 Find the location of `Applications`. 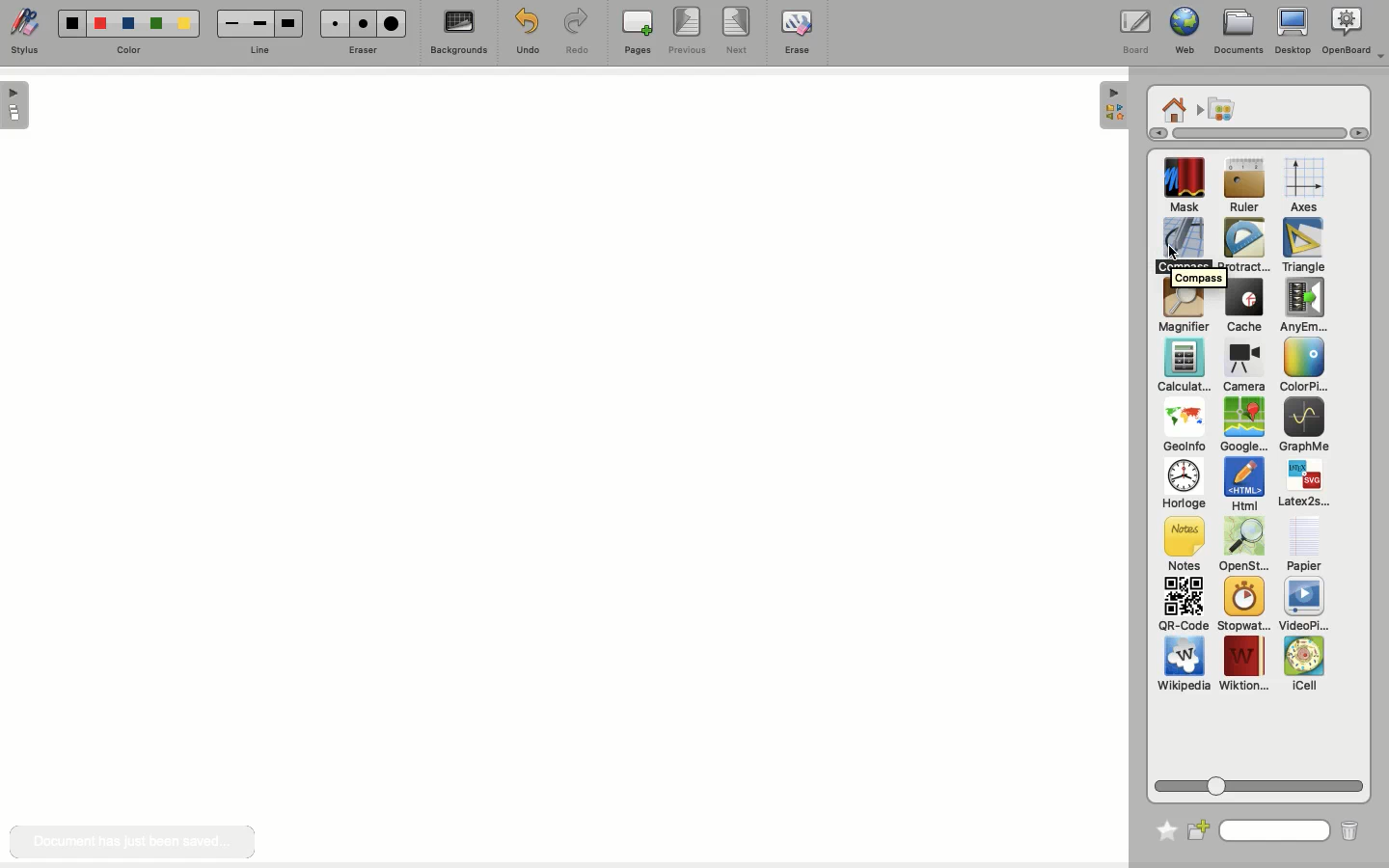

Applications is located at coordinates (1221, 110).